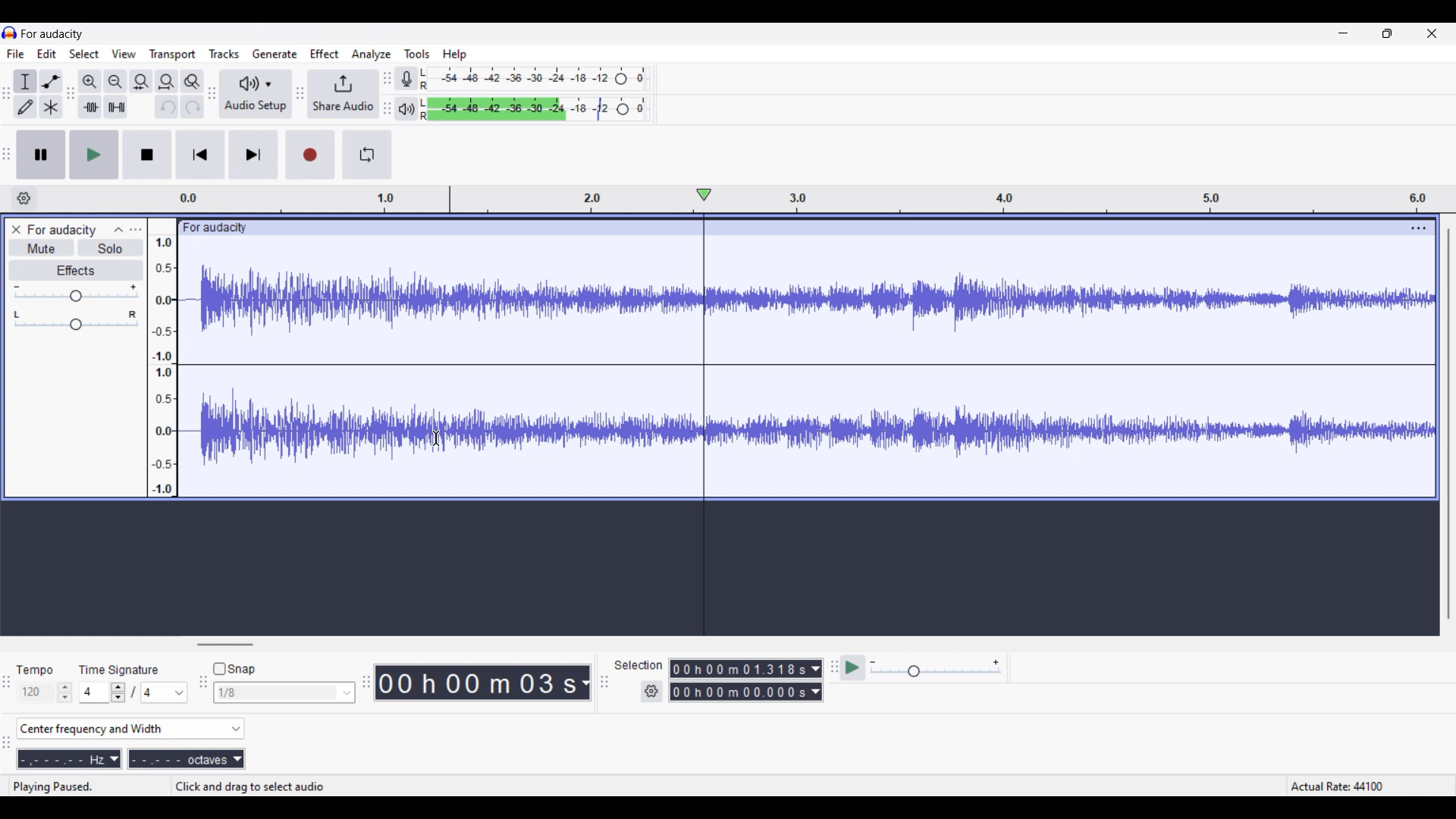 The height and width of the screenshot is (819, 1456). I want to click on Track options, so click(1419, 228).